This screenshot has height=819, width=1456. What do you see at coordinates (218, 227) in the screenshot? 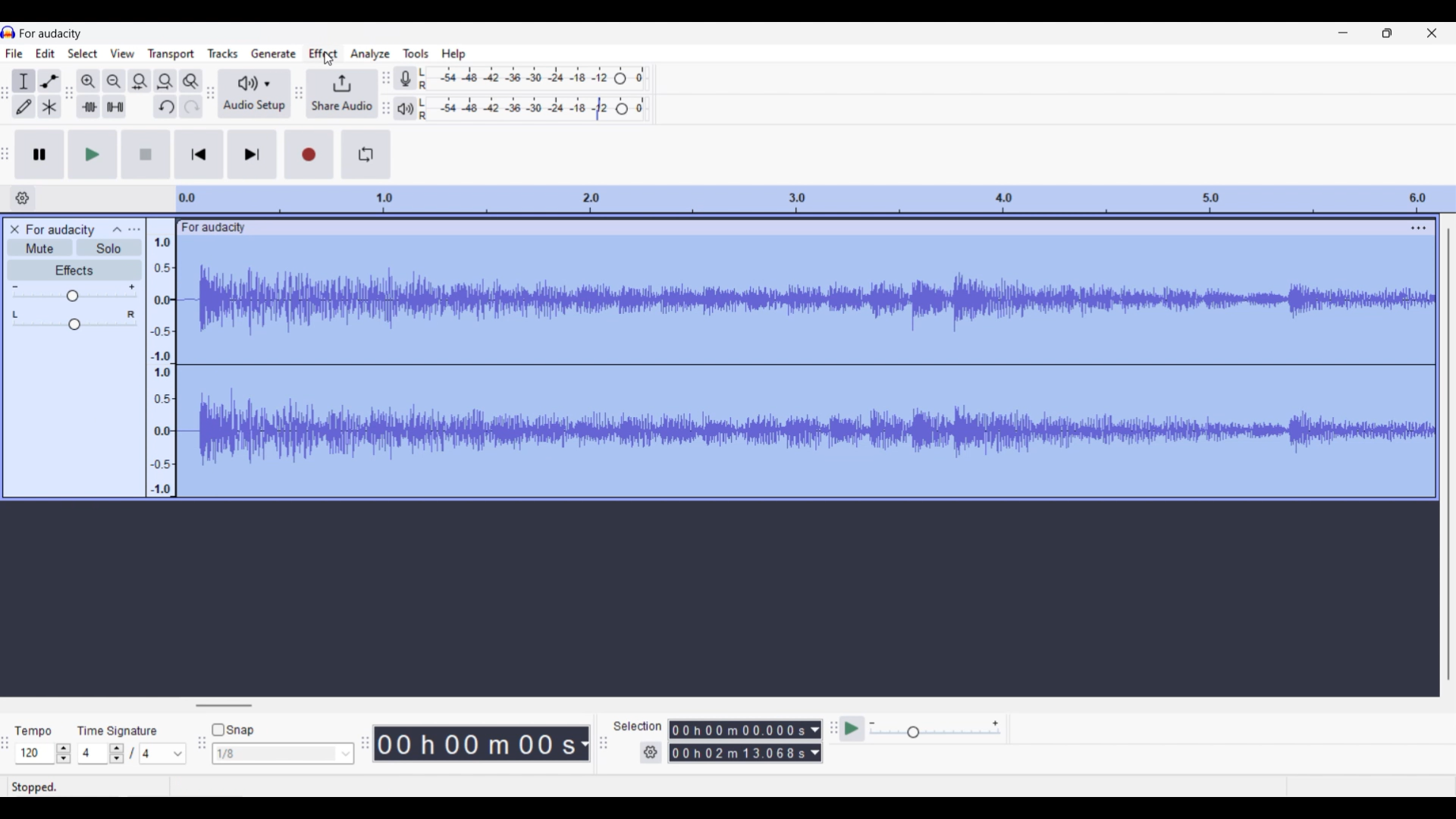
I see `for audacity` at bounding box center [218, 227].